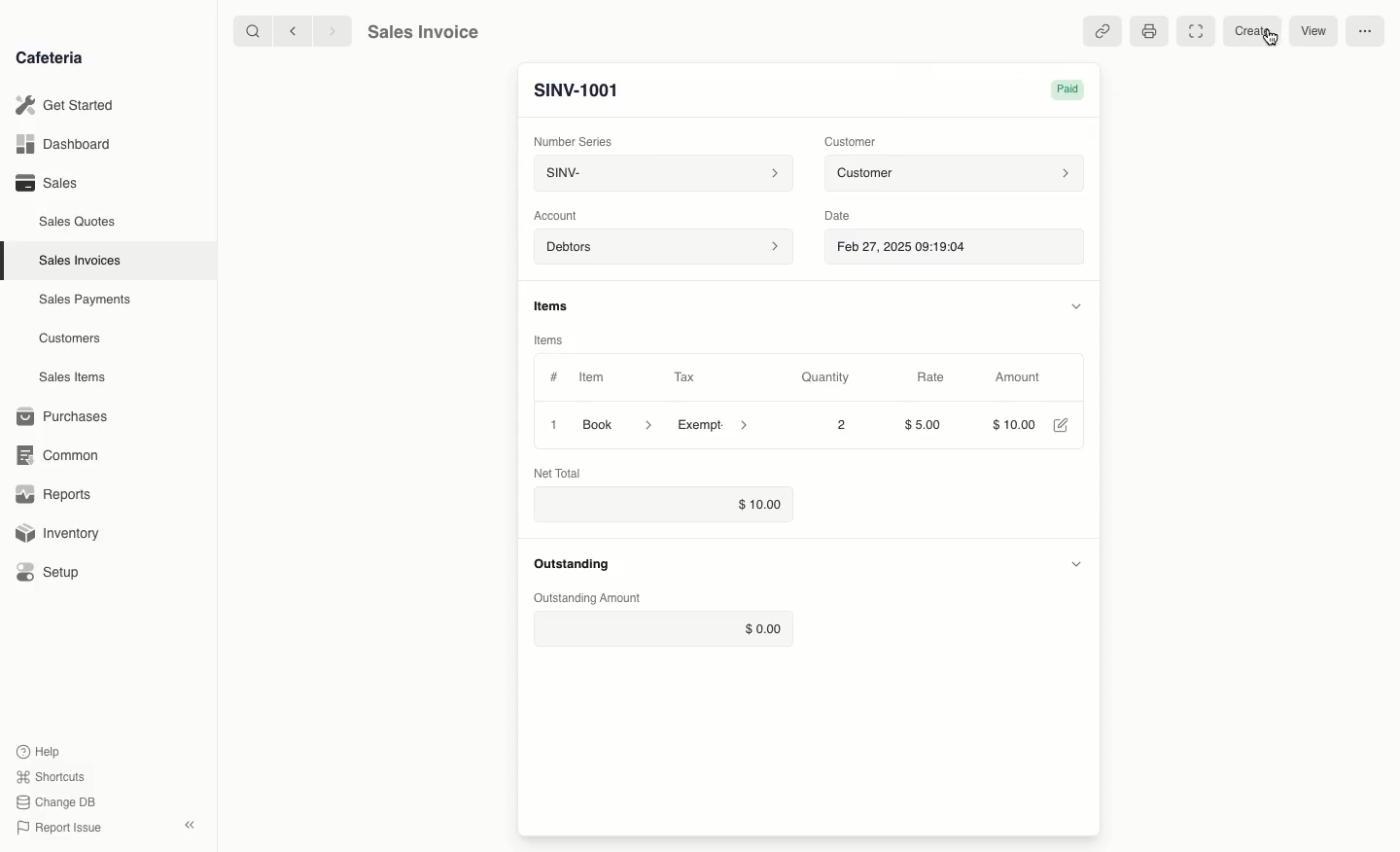  What do you see at coordinates (72, 377) in the screenshot?
I see `Sales Items` at bounding box center [72, 377].